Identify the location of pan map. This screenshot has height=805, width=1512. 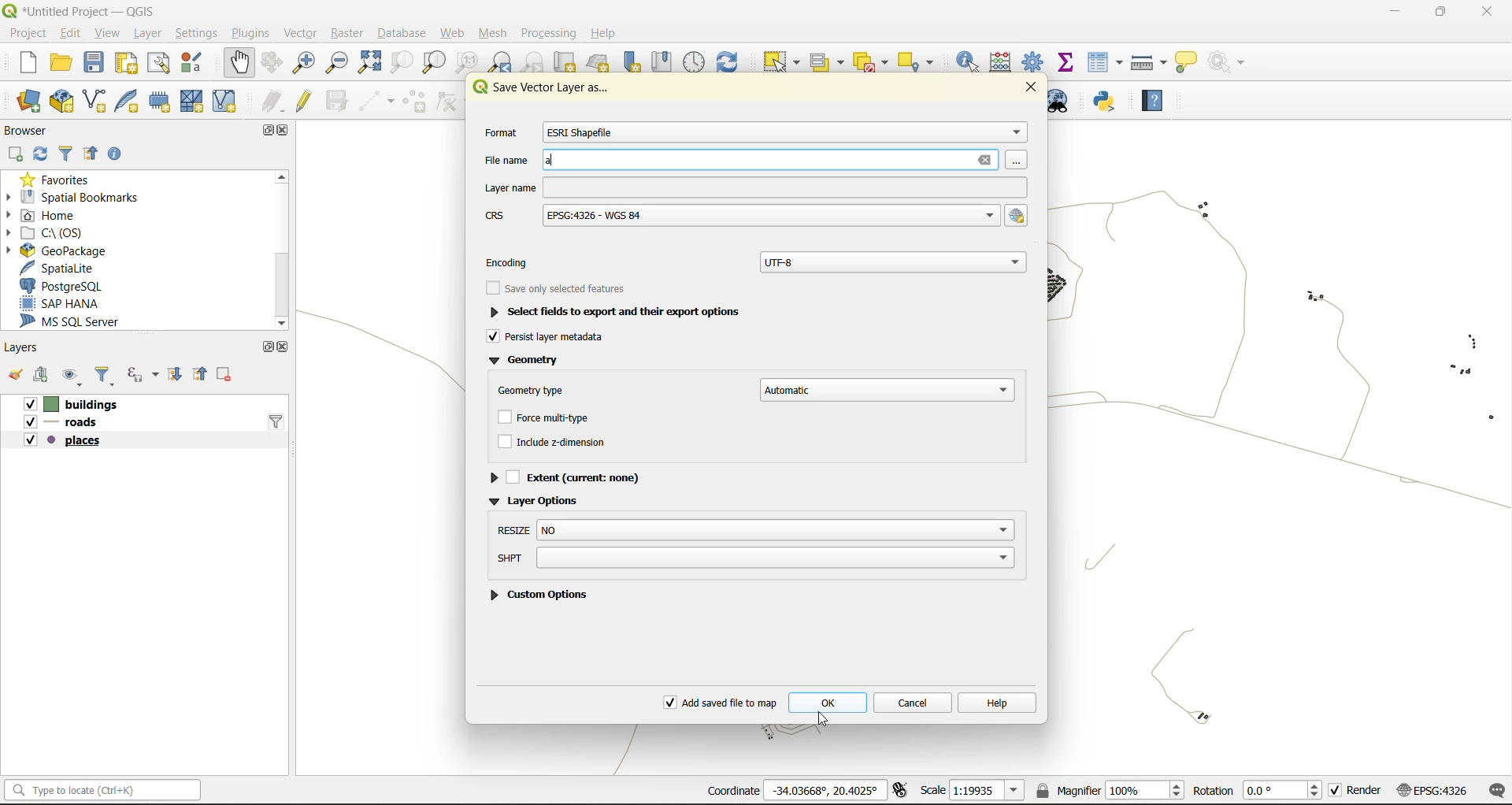
(242, 62).